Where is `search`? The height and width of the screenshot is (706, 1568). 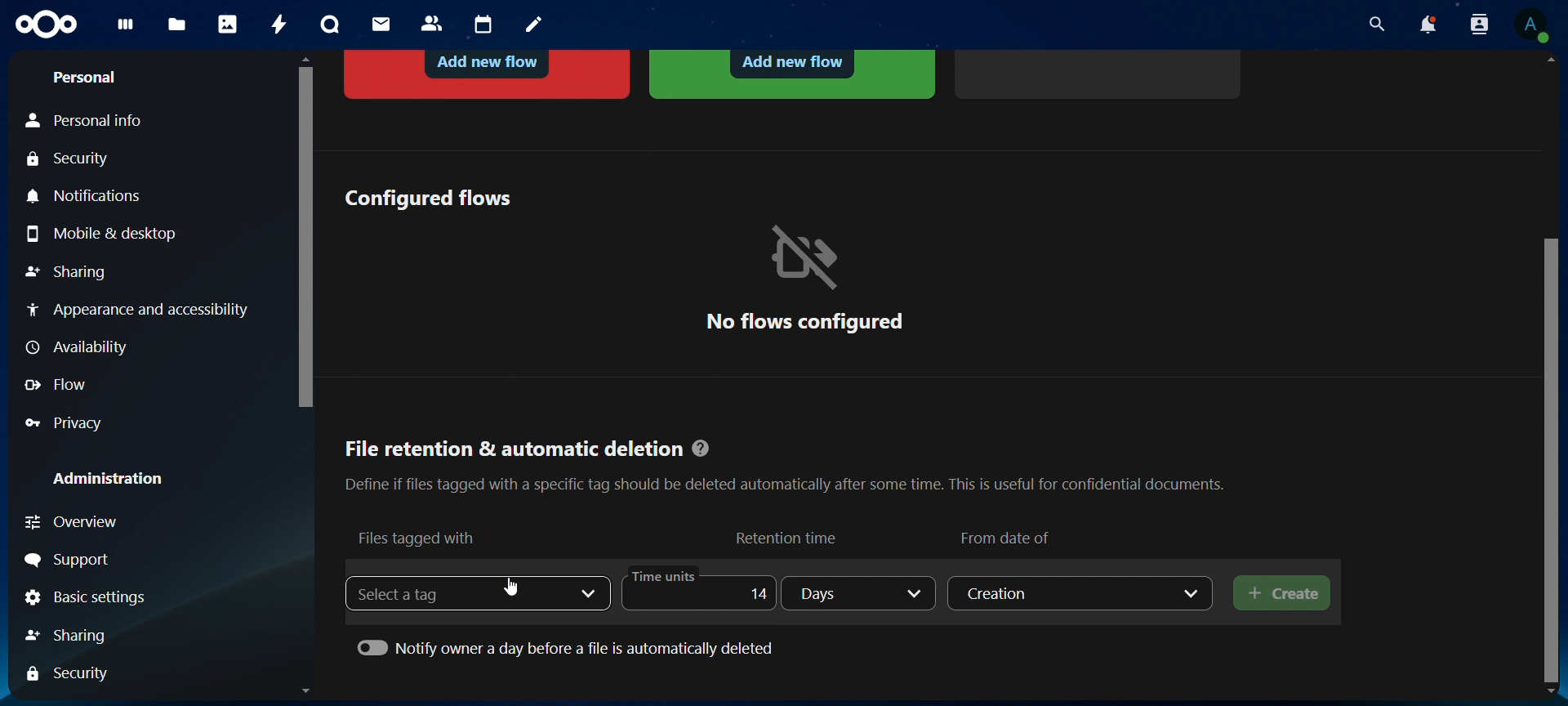
search is located at coordinates (1373, 25).